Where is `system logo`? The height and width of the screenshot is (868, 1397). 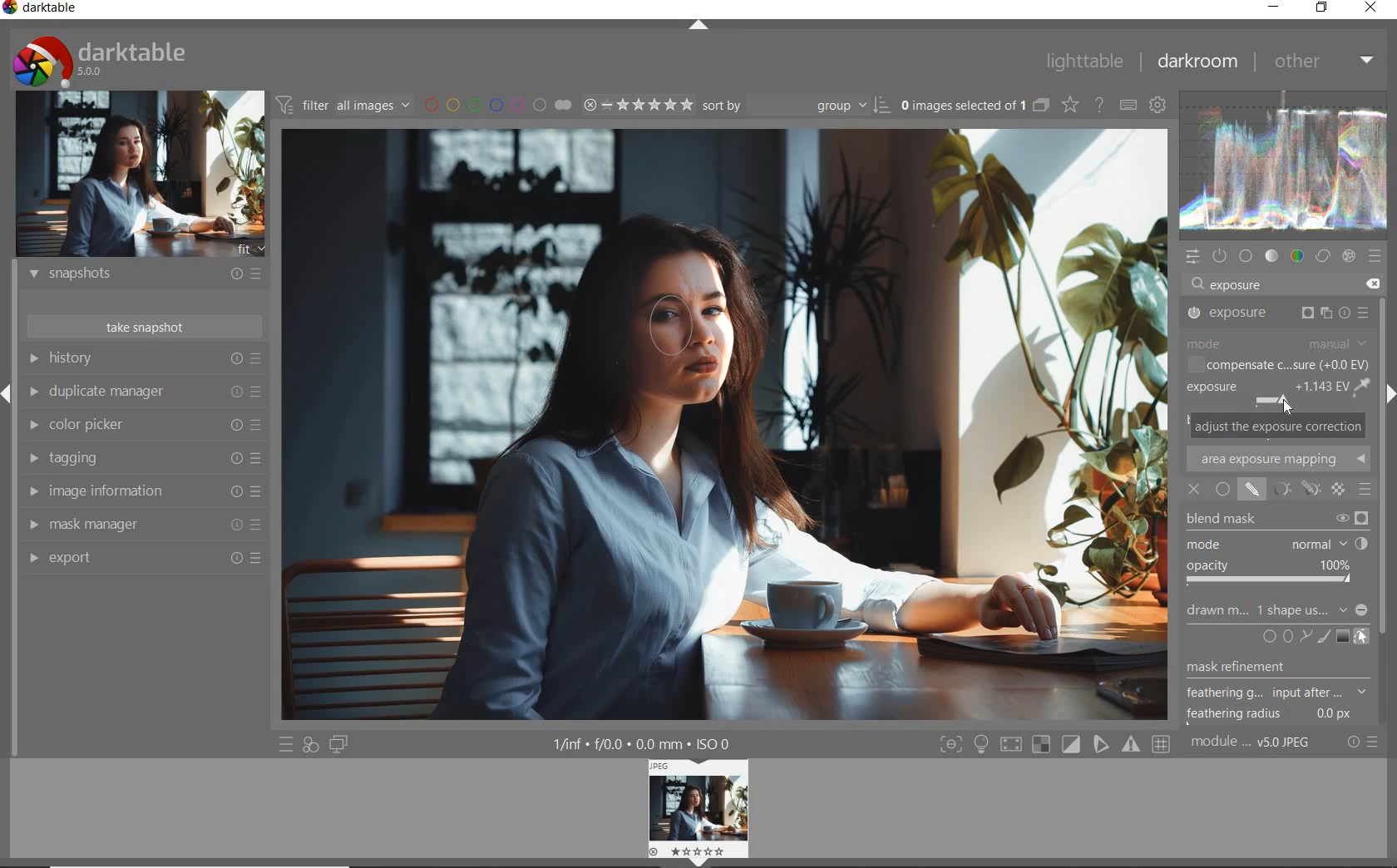
system logo is located at coordinates (101, 61).